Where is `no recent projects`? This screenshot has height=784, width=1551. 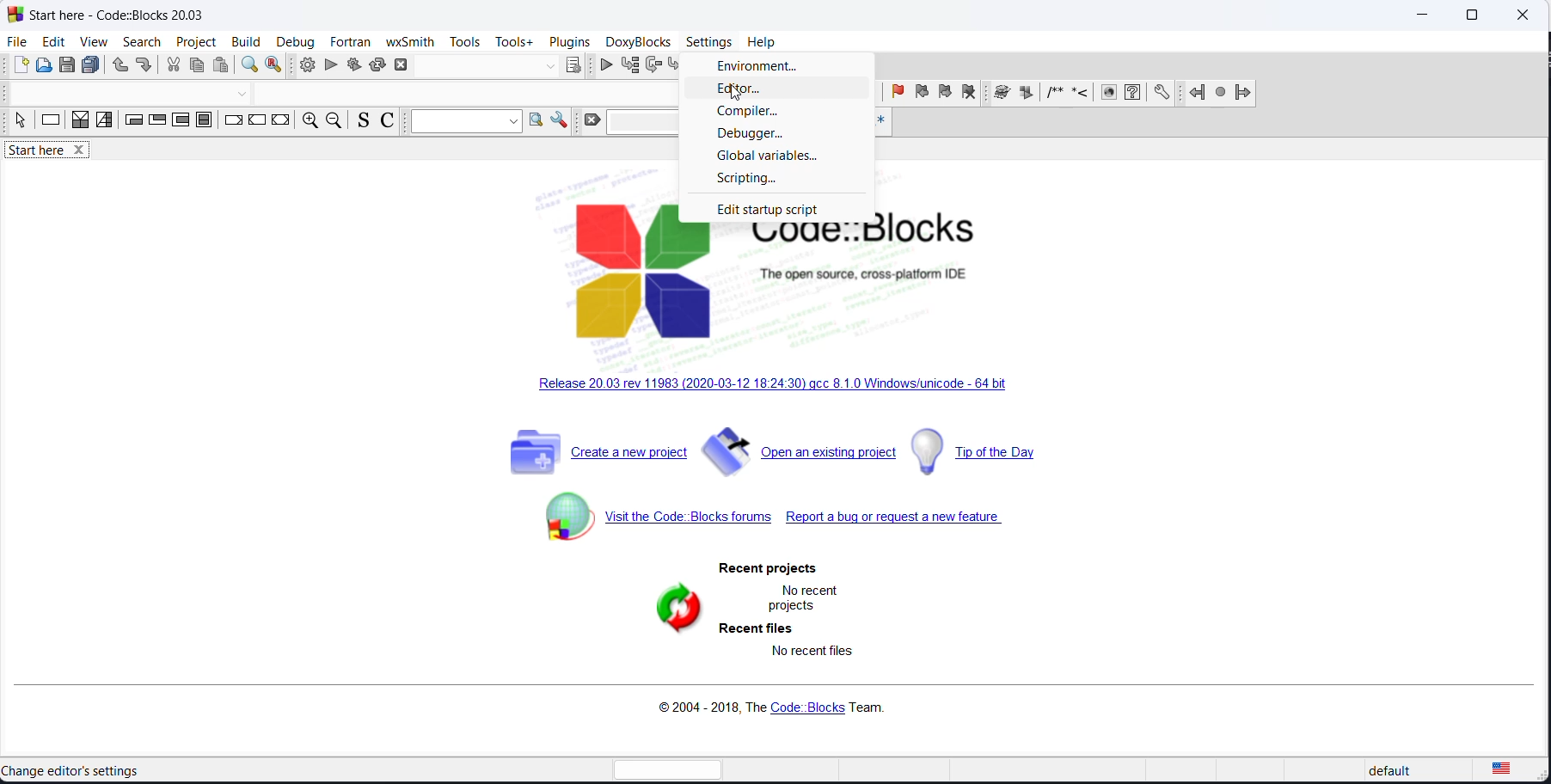
no recent projects is located at coordinates (810, 596).